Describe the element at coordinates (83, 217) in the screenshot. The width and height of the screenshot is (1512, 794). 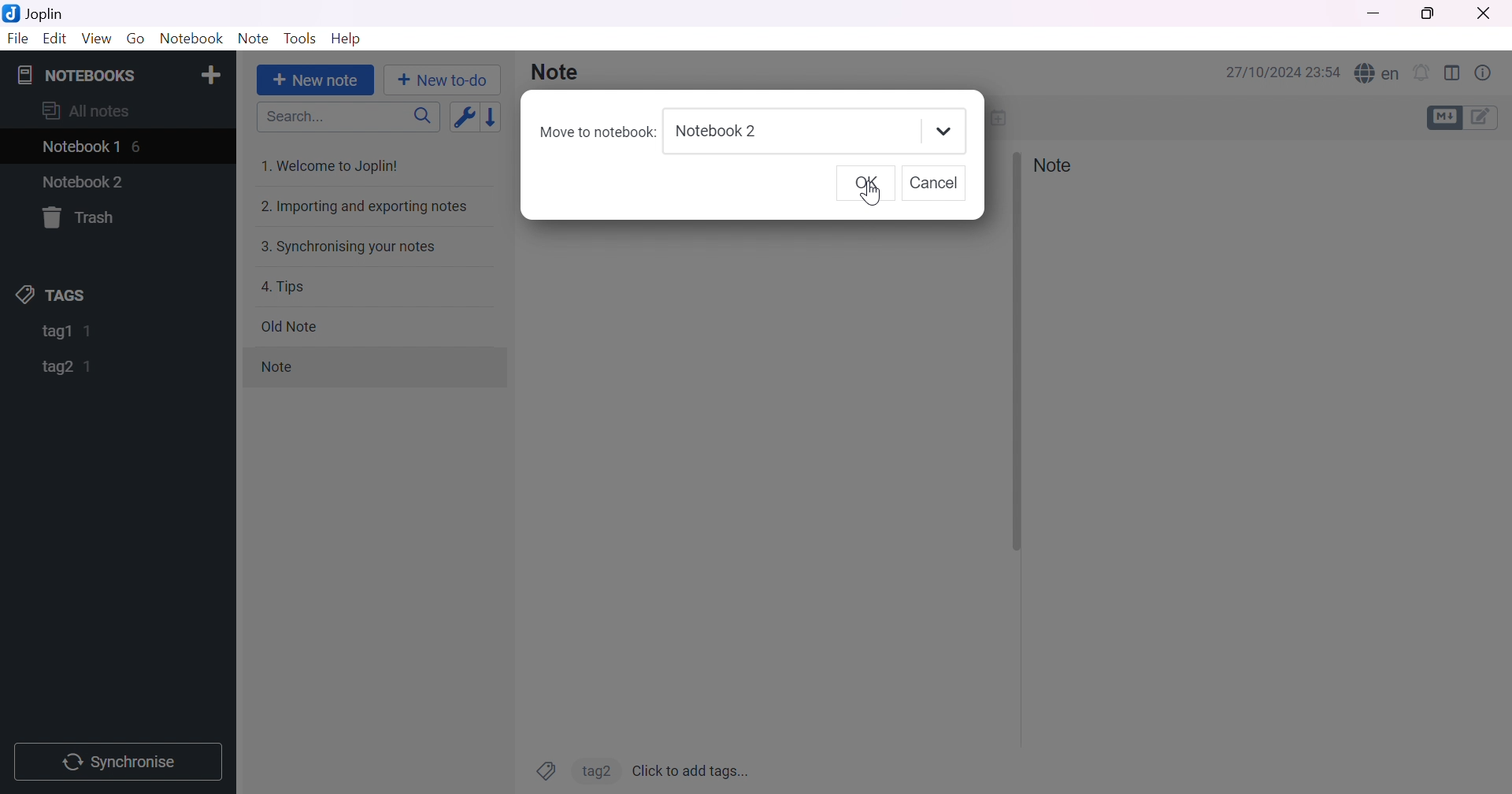
I see `Trash` at that location.